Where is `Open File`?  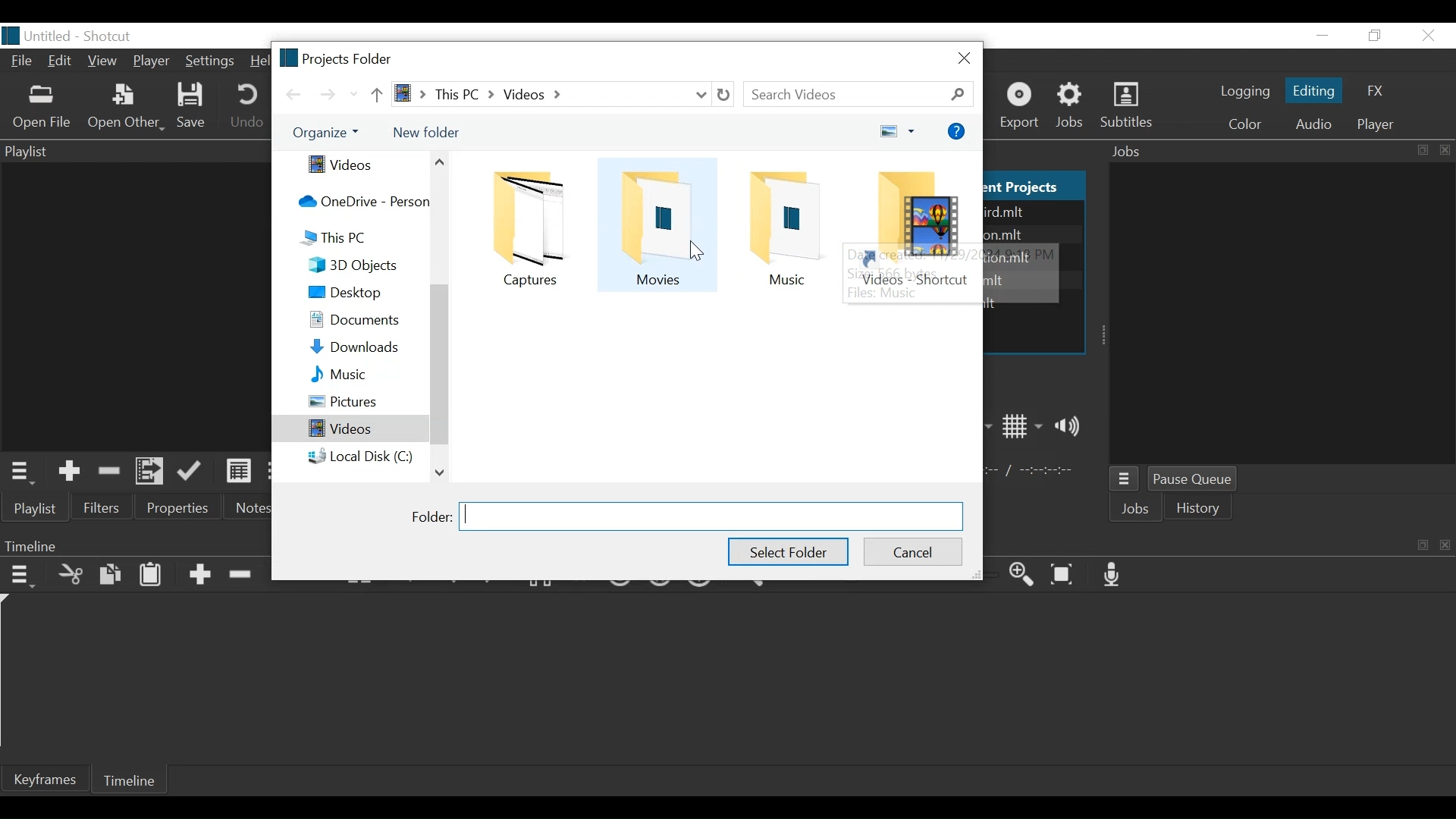
Open File is located at coordinates (42, 107).